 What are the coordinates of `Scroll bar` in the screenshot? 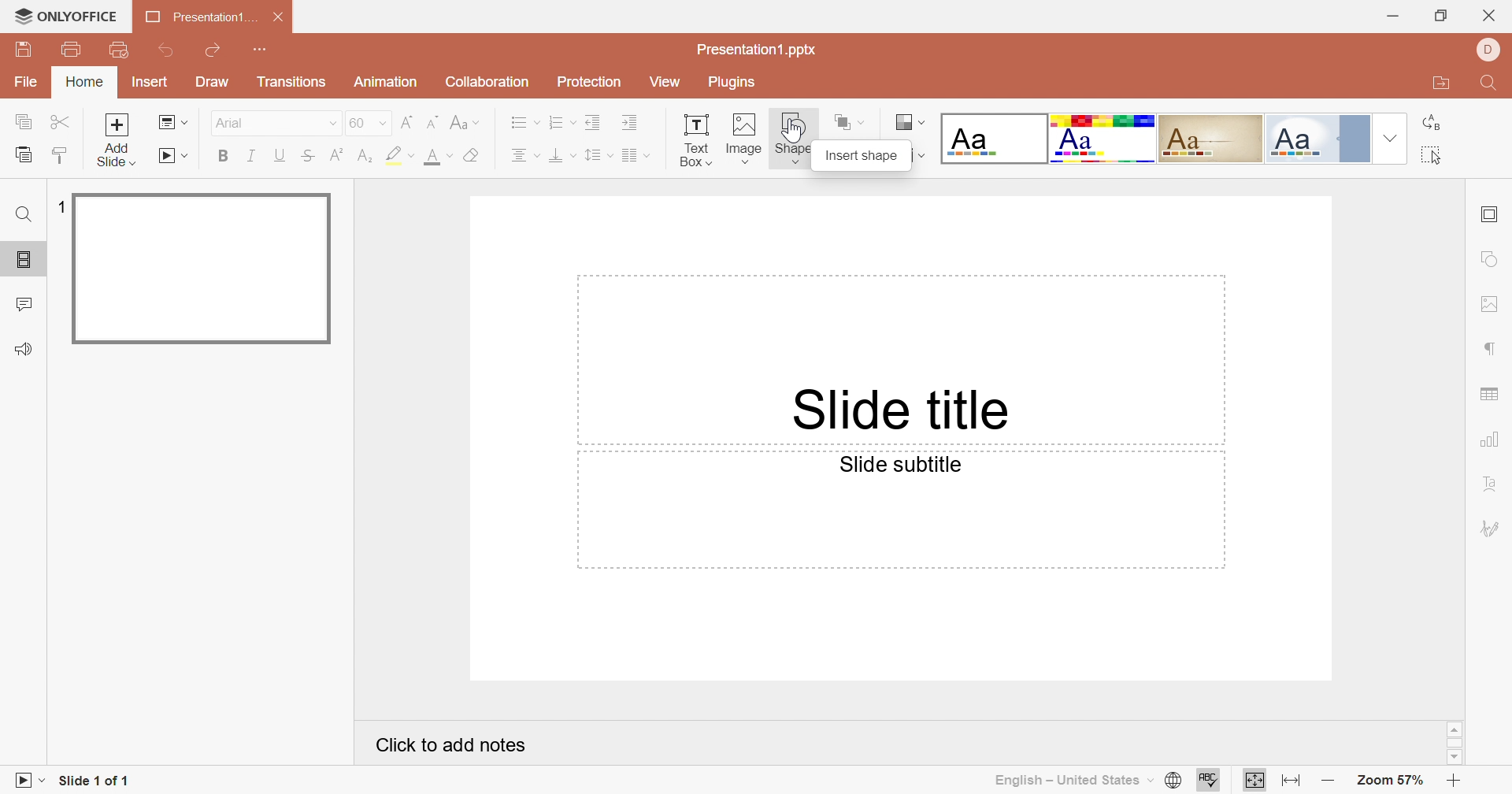 It's located at (1455, 744).